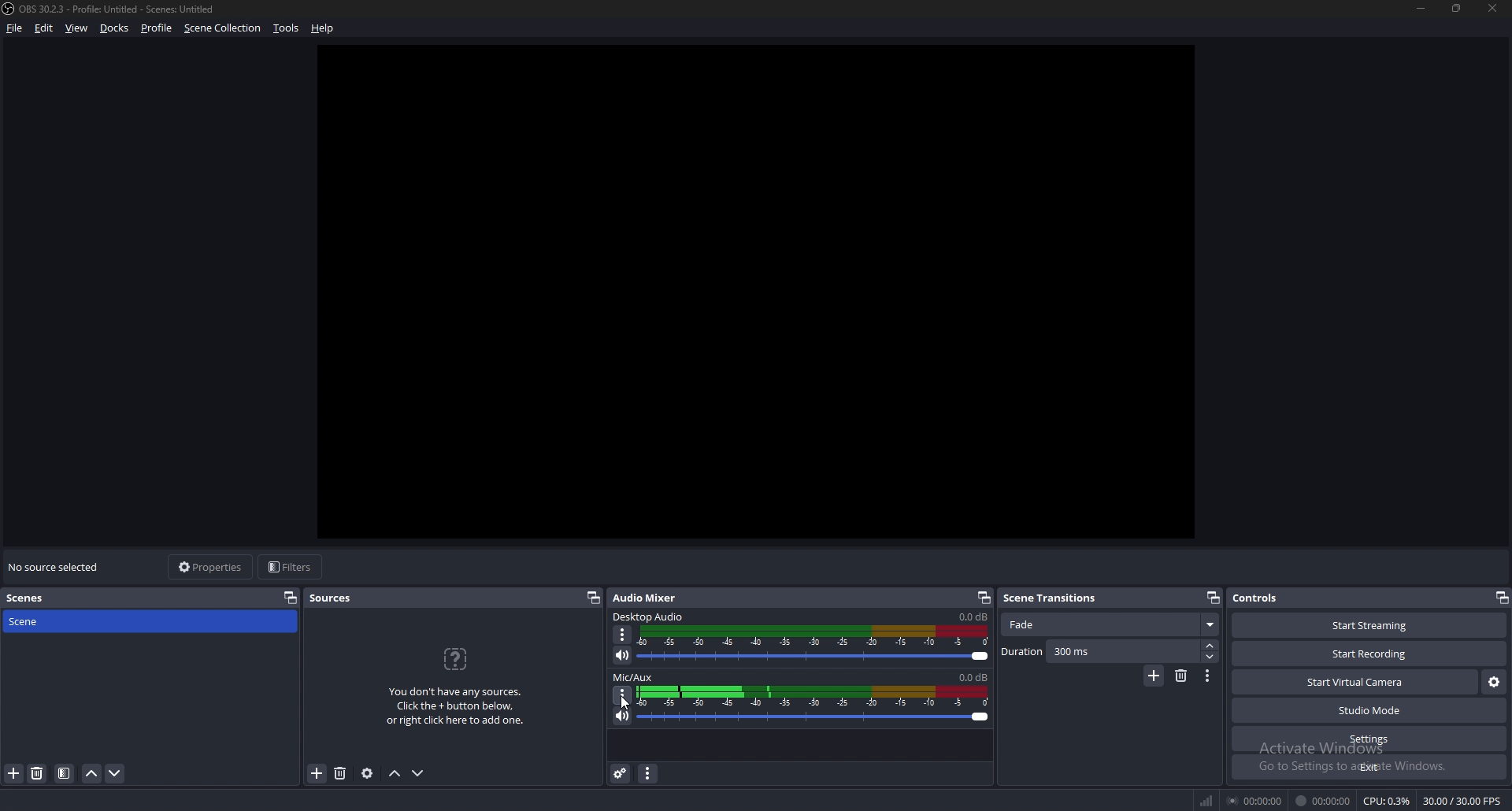  What do you see at coordinates (622, 654) in the screenshot?
I see `desktop audio` at bounding box center [622, 654].